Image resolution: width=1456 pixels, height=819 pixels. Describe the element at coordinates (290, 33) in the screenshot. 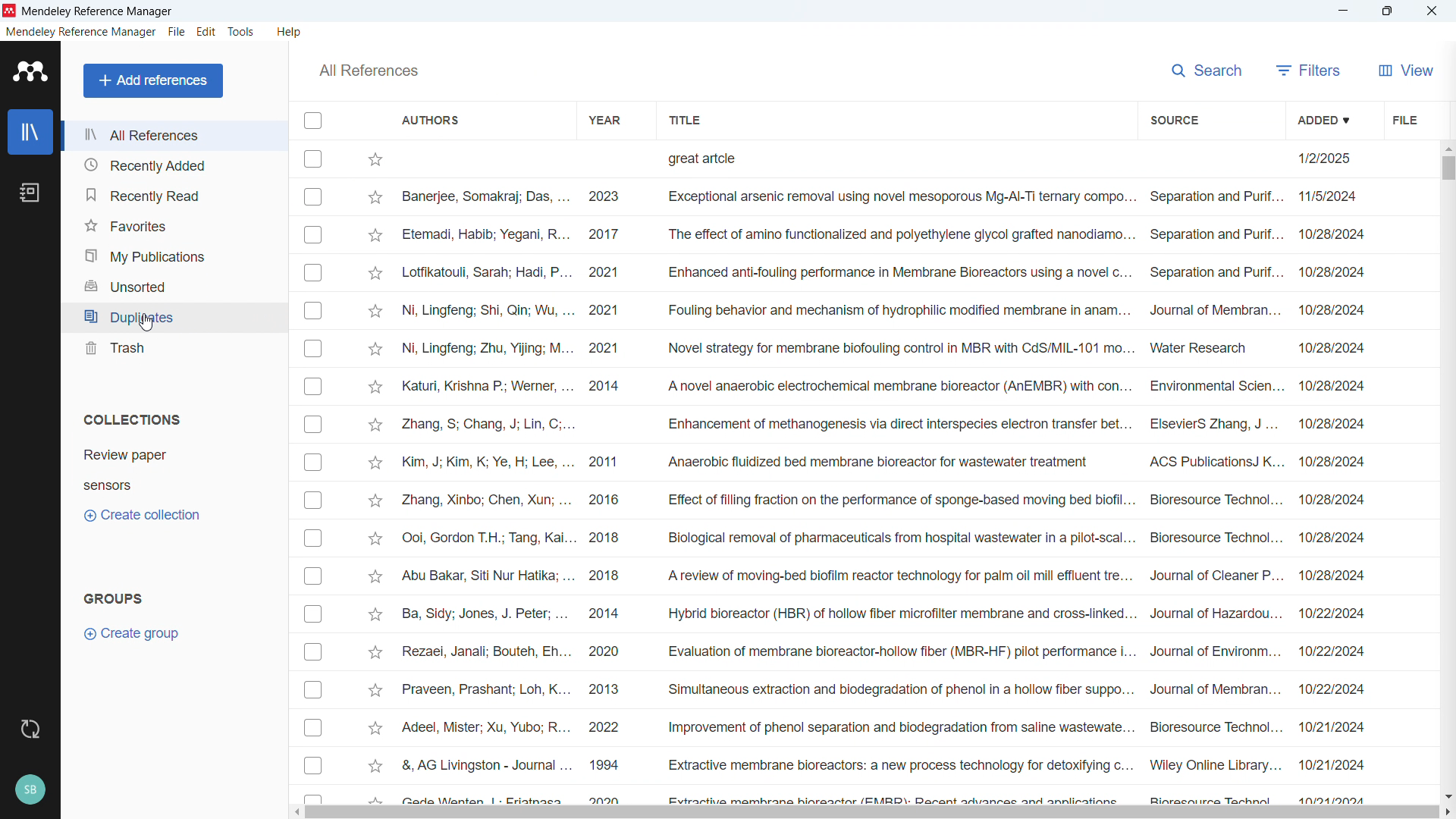

I see `Help ` at that location.